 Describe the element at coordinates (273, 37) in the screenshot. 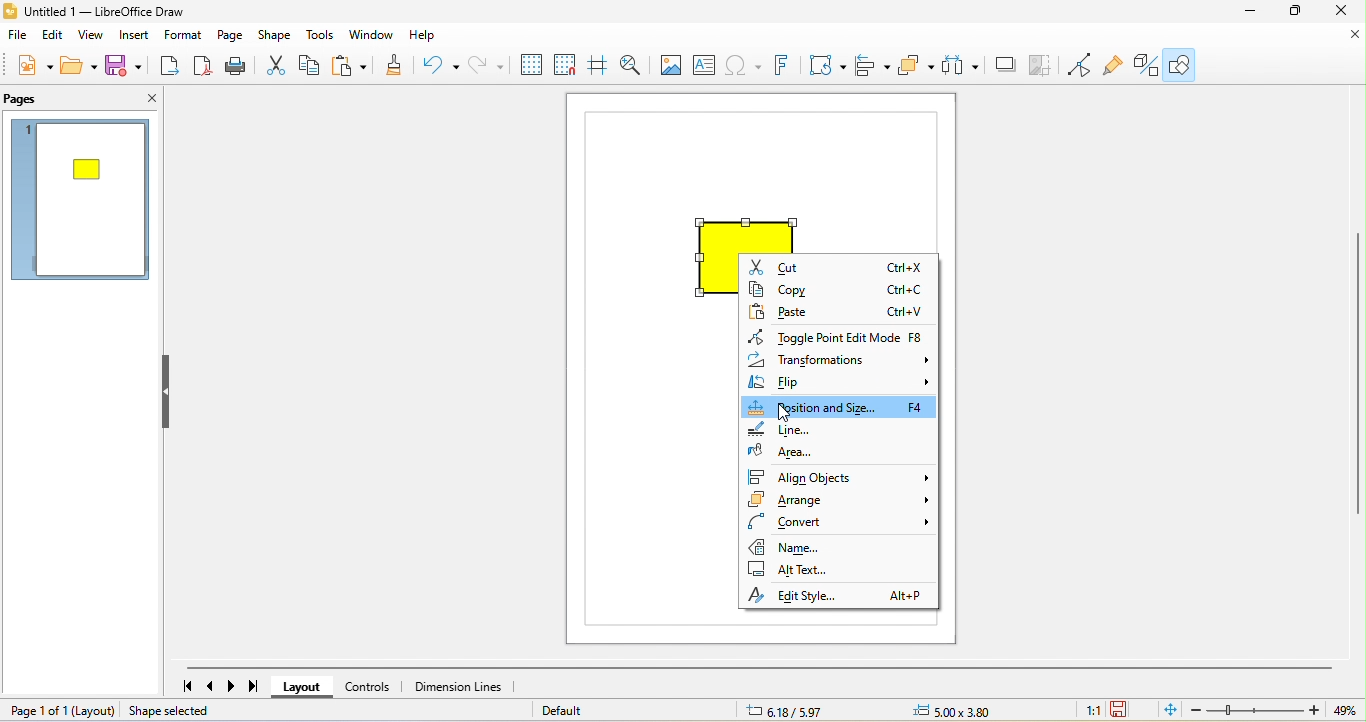

I see `shape` at that location.